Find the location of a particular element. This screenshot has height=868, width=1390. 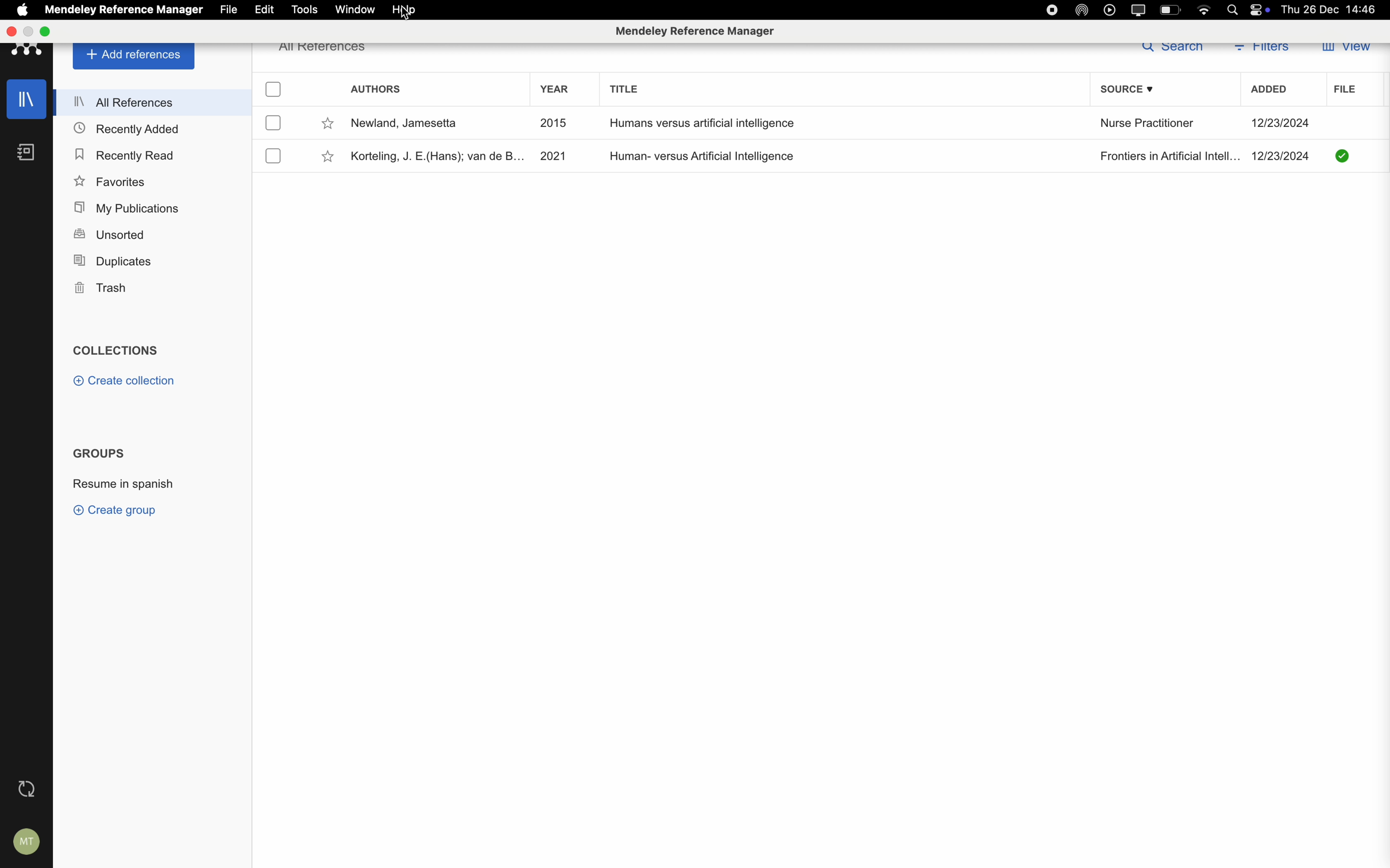

last sync is located at coordinates (25, 787).